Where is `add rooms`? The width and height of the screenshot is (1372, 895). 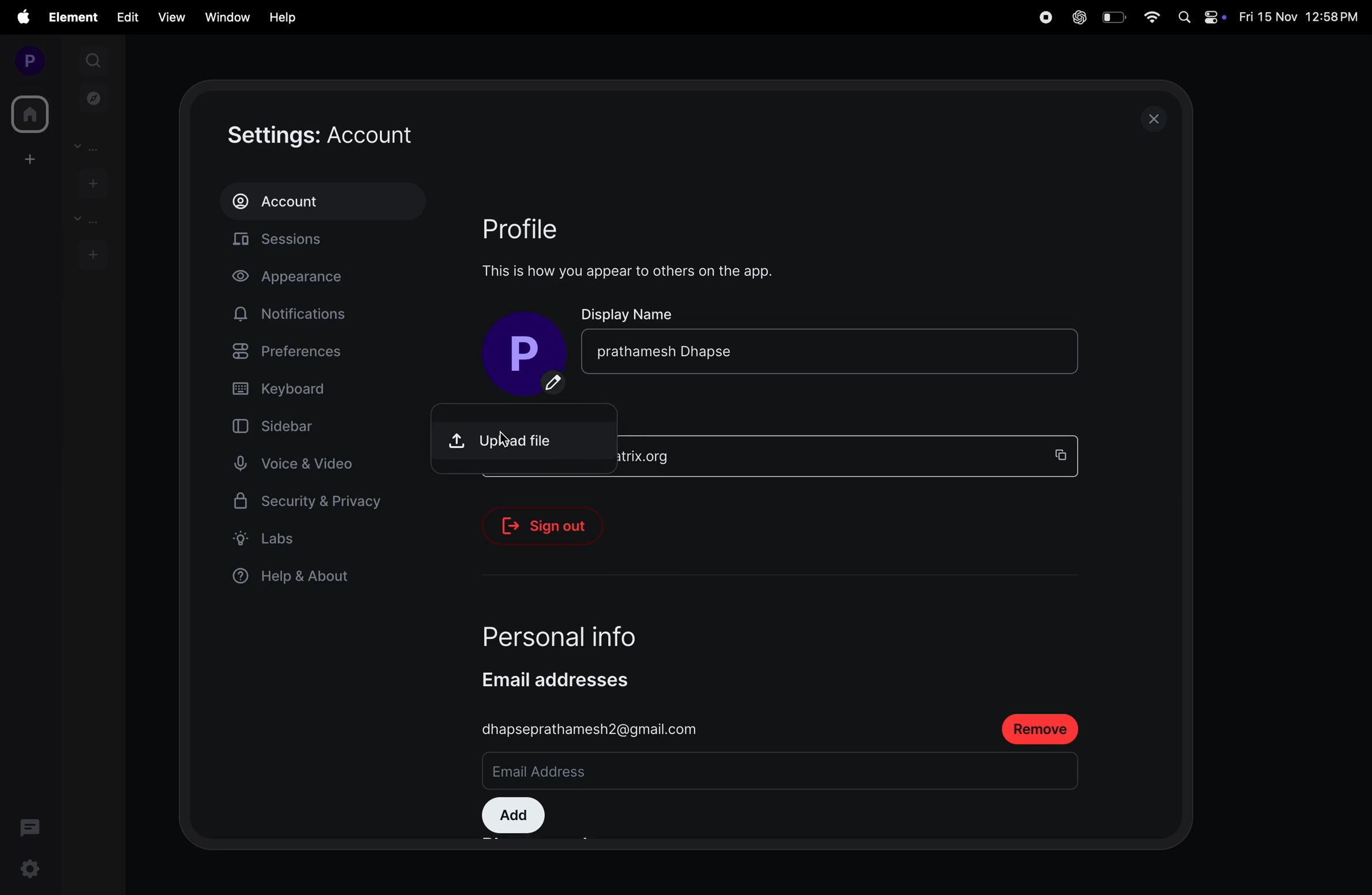
add rooms is located at coordinates (93, 253).